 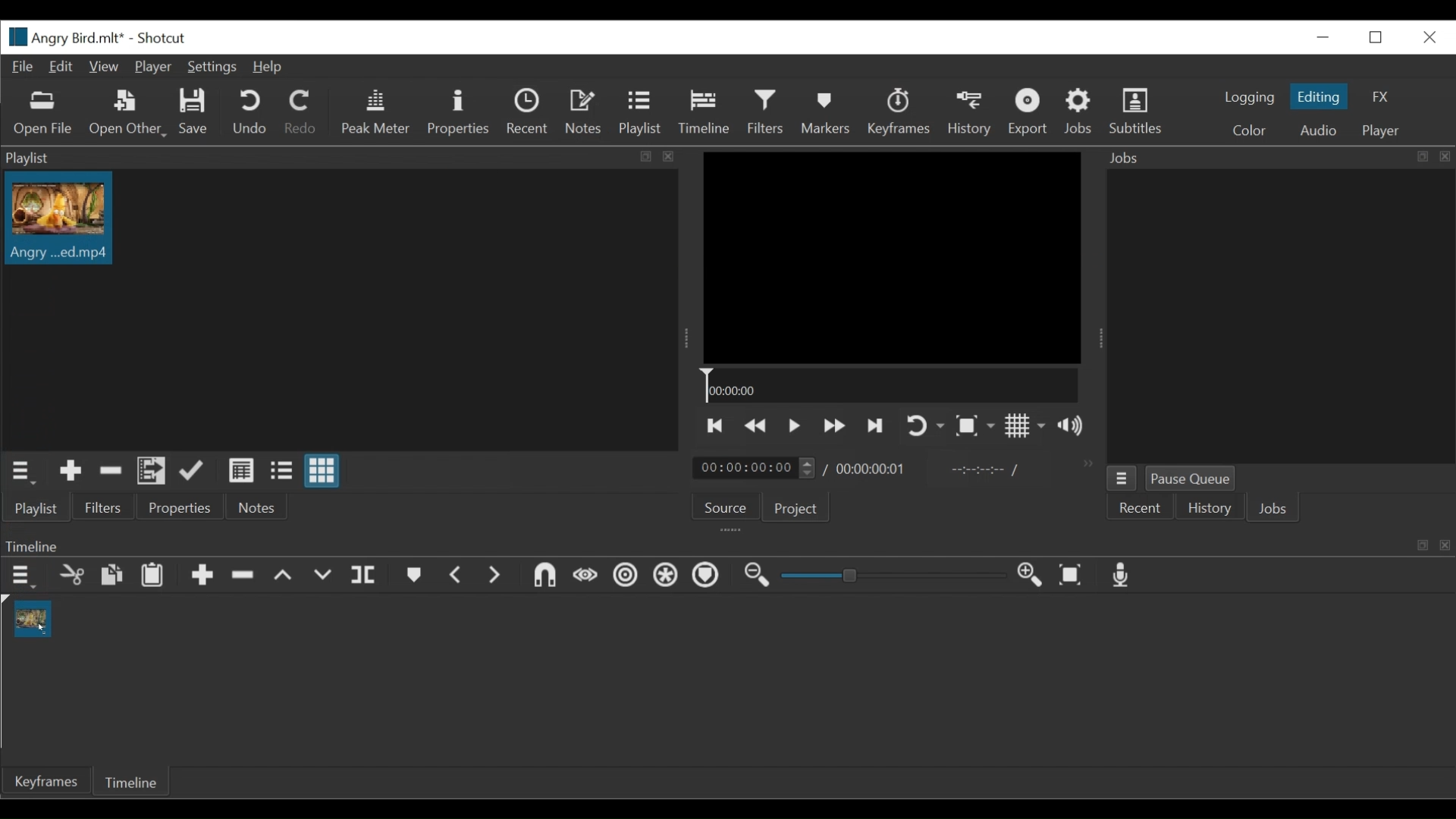 I want to click on File, so click(x=24, y=67).